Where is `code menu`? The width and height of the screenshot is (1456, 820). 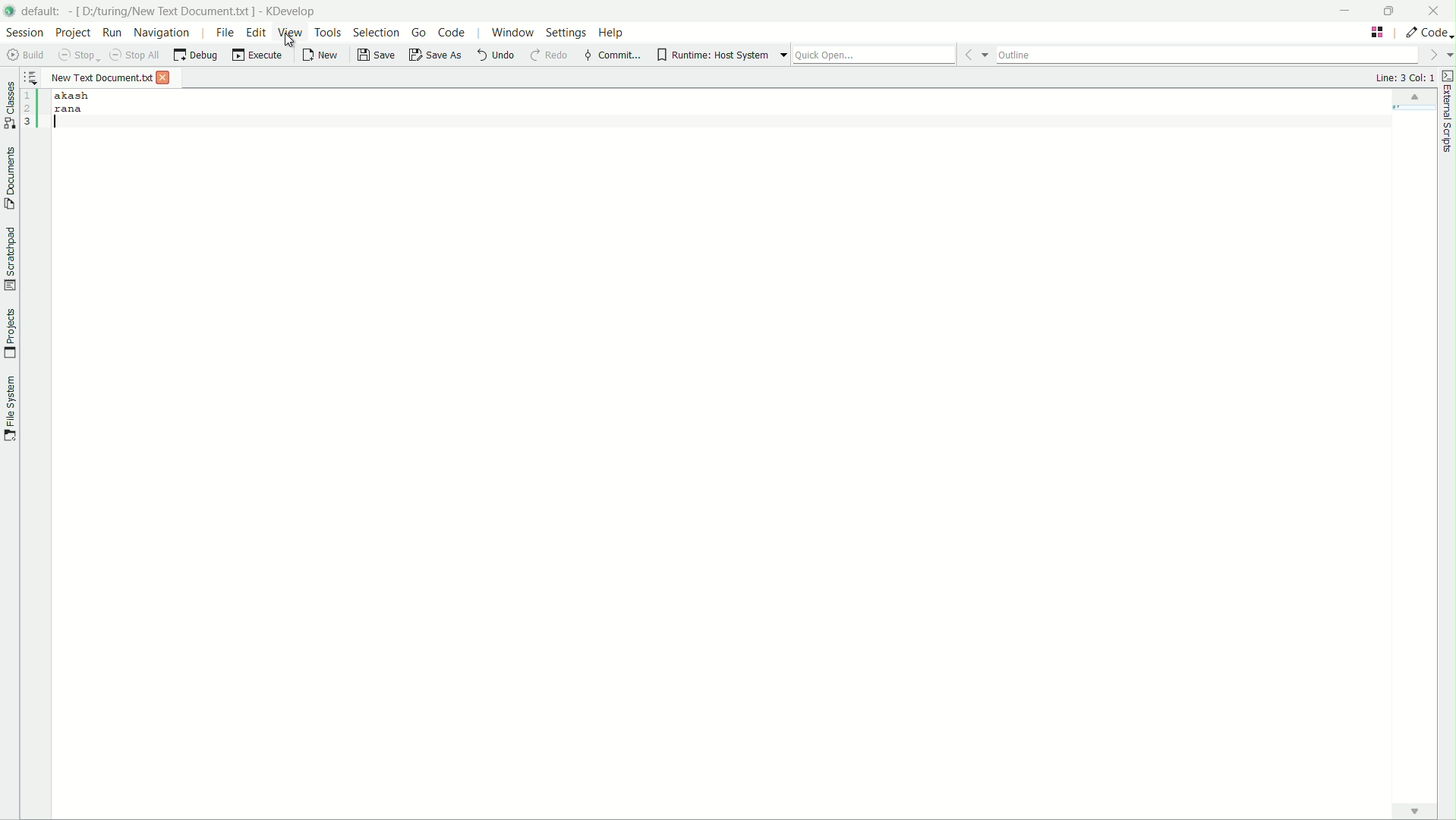 code menu is located at coordinates (452, 33).